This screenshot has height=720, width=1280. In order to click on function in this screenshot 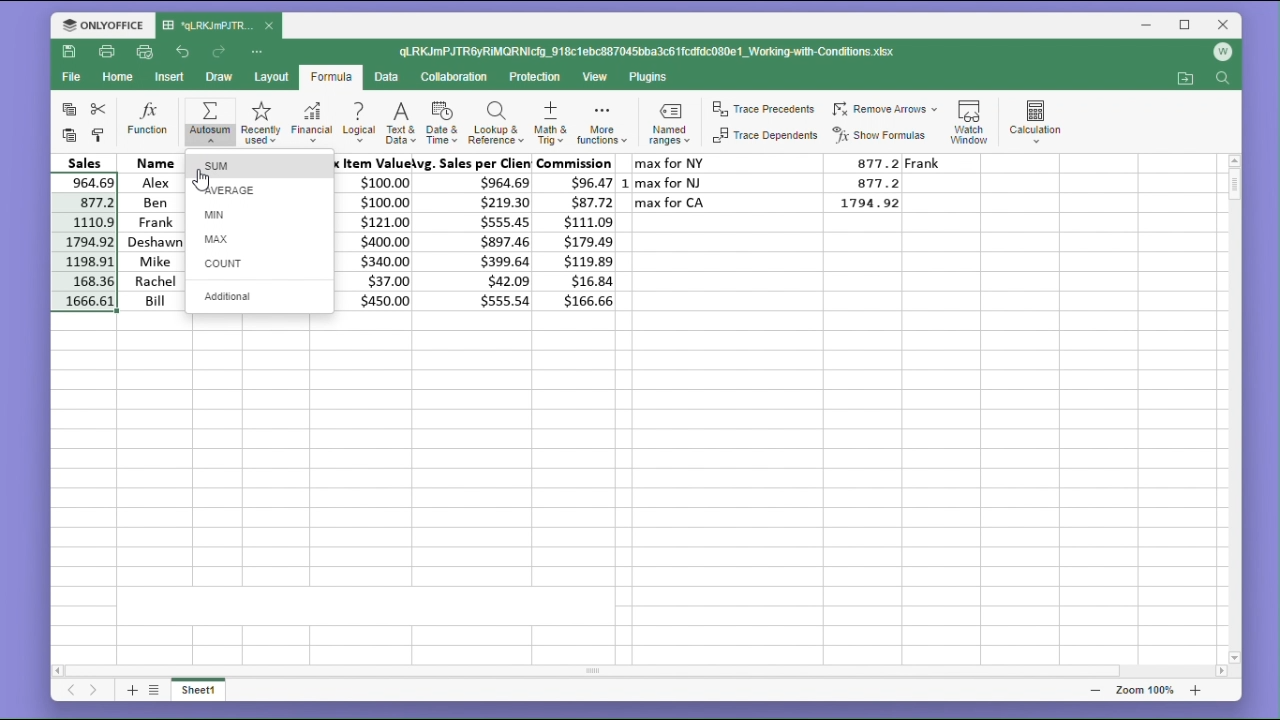, I will do `click(148, 120)`.